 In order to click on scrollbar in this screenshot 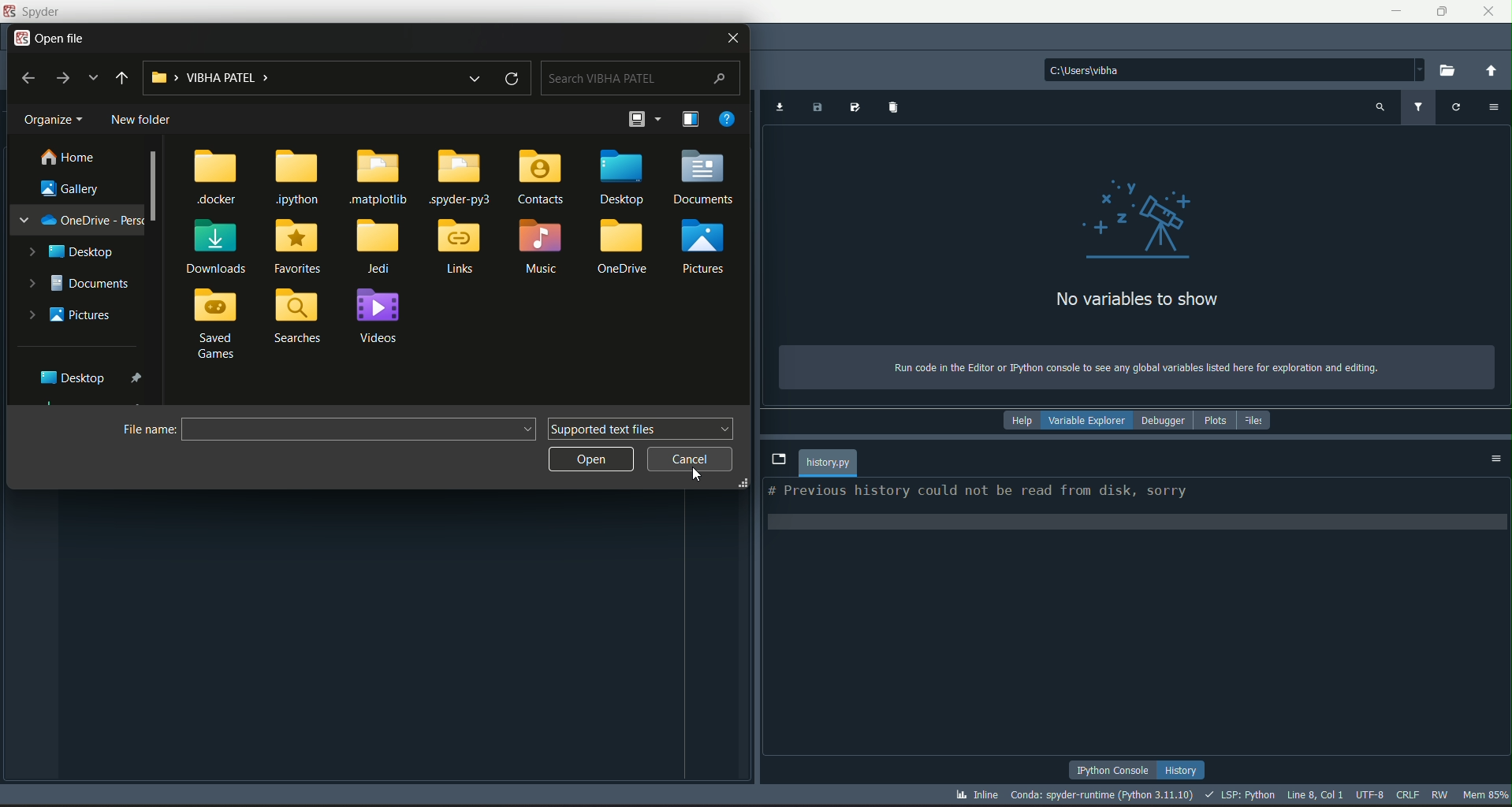, I will do `click(155, 188)`.